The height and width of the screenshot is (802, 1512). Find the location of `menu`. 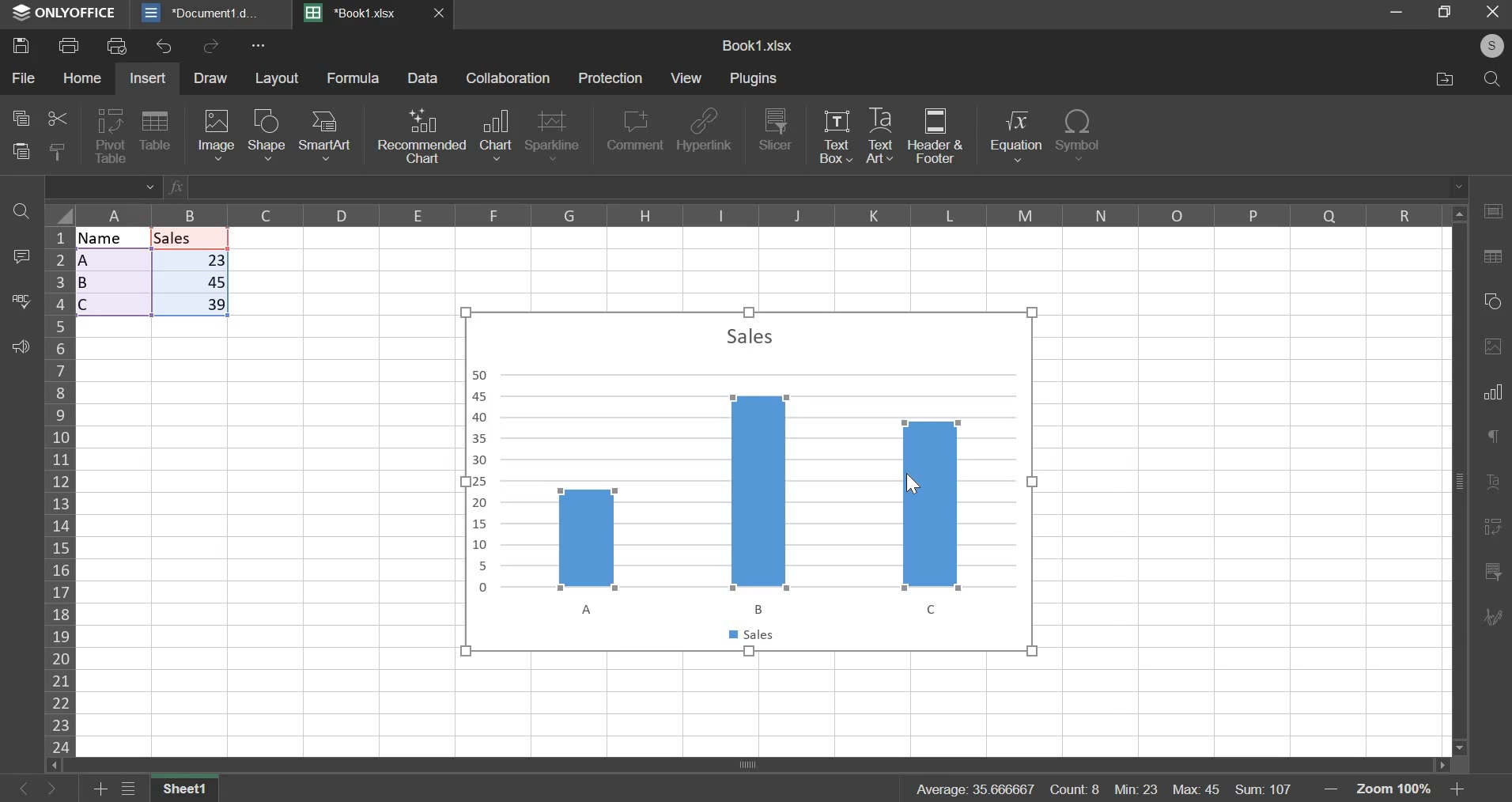

menu is located at coordinates (127, 790).